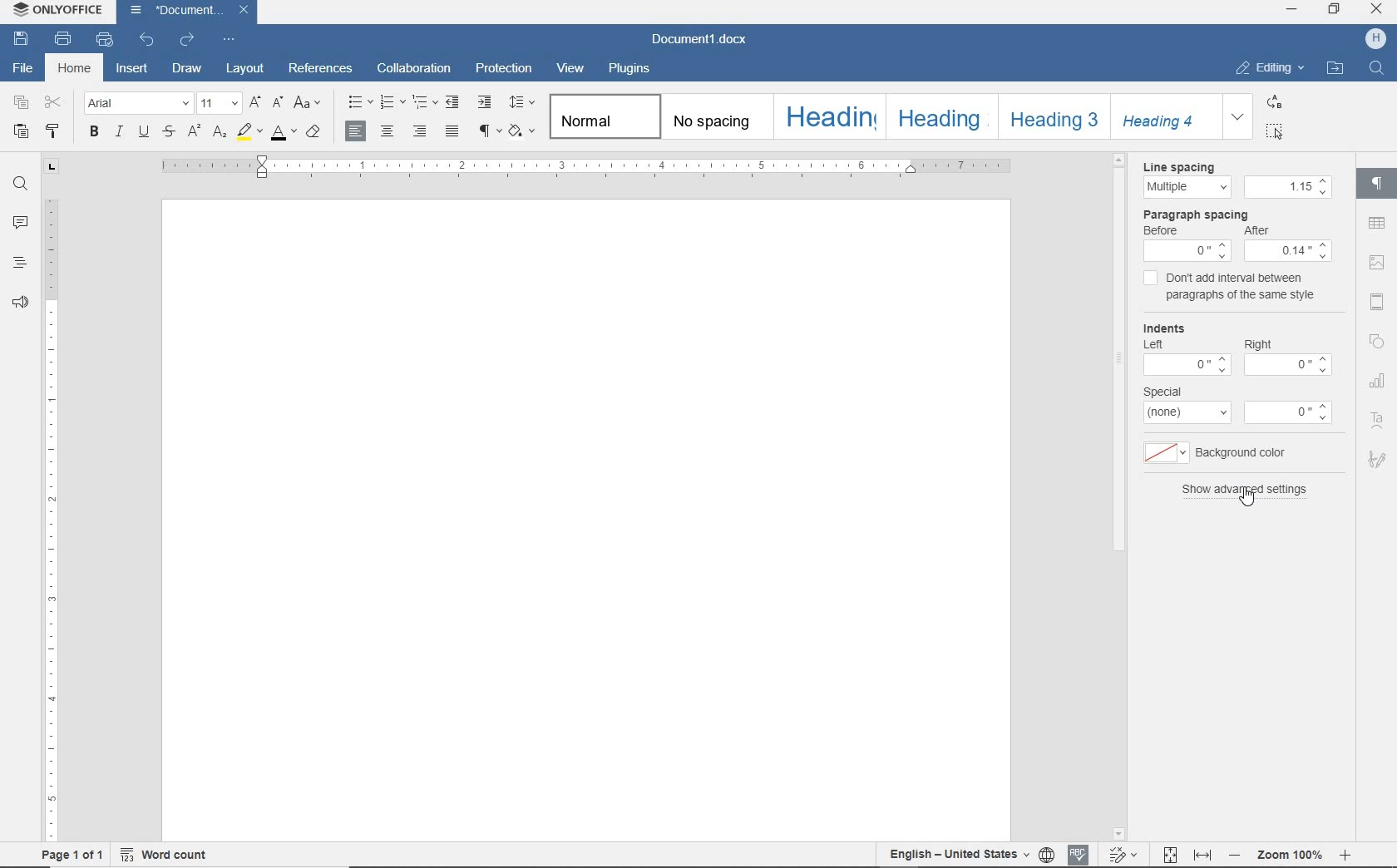  I want to click on paragraph settings, so click(1381, 185).